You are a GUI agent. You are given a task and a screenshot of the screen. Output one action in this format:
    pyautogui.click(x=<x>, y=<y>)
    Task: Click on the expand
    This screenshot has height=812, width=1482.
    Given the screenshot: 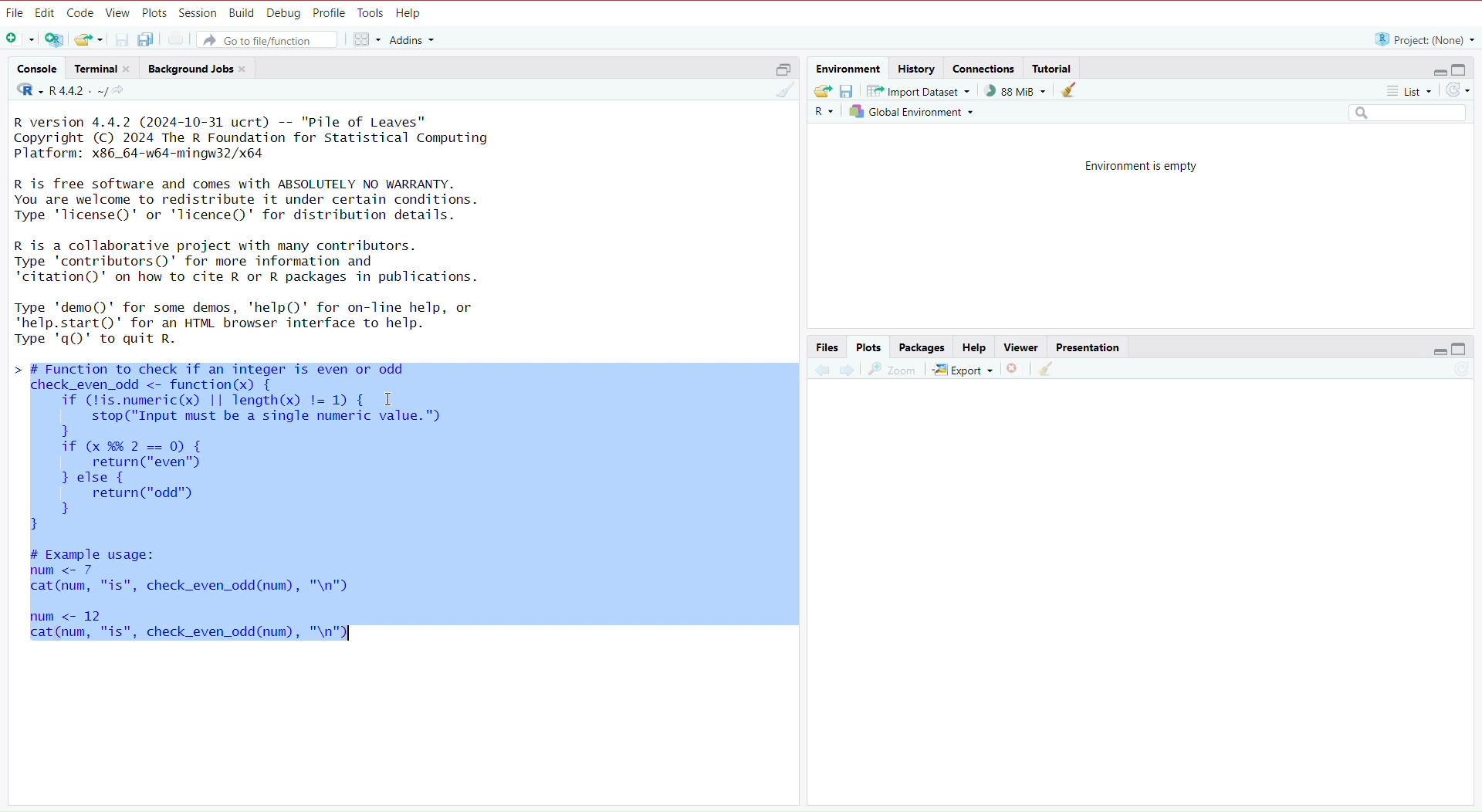 What is the action you would take?
    pyautogui.click(x=779, y=72)
    